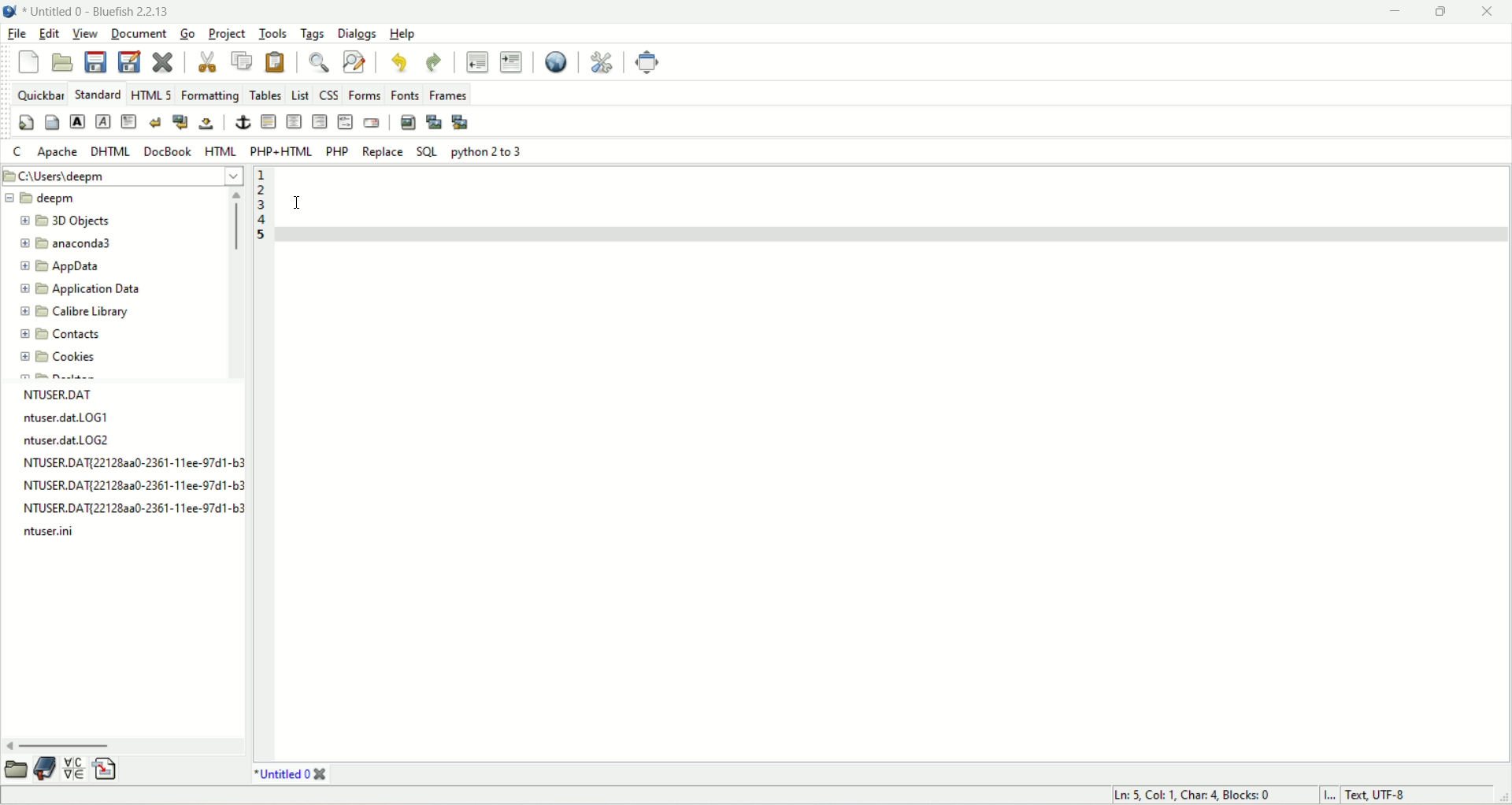 The height and width of the screenshot is (805, 1512). I want to click on C, so click(17, 153).